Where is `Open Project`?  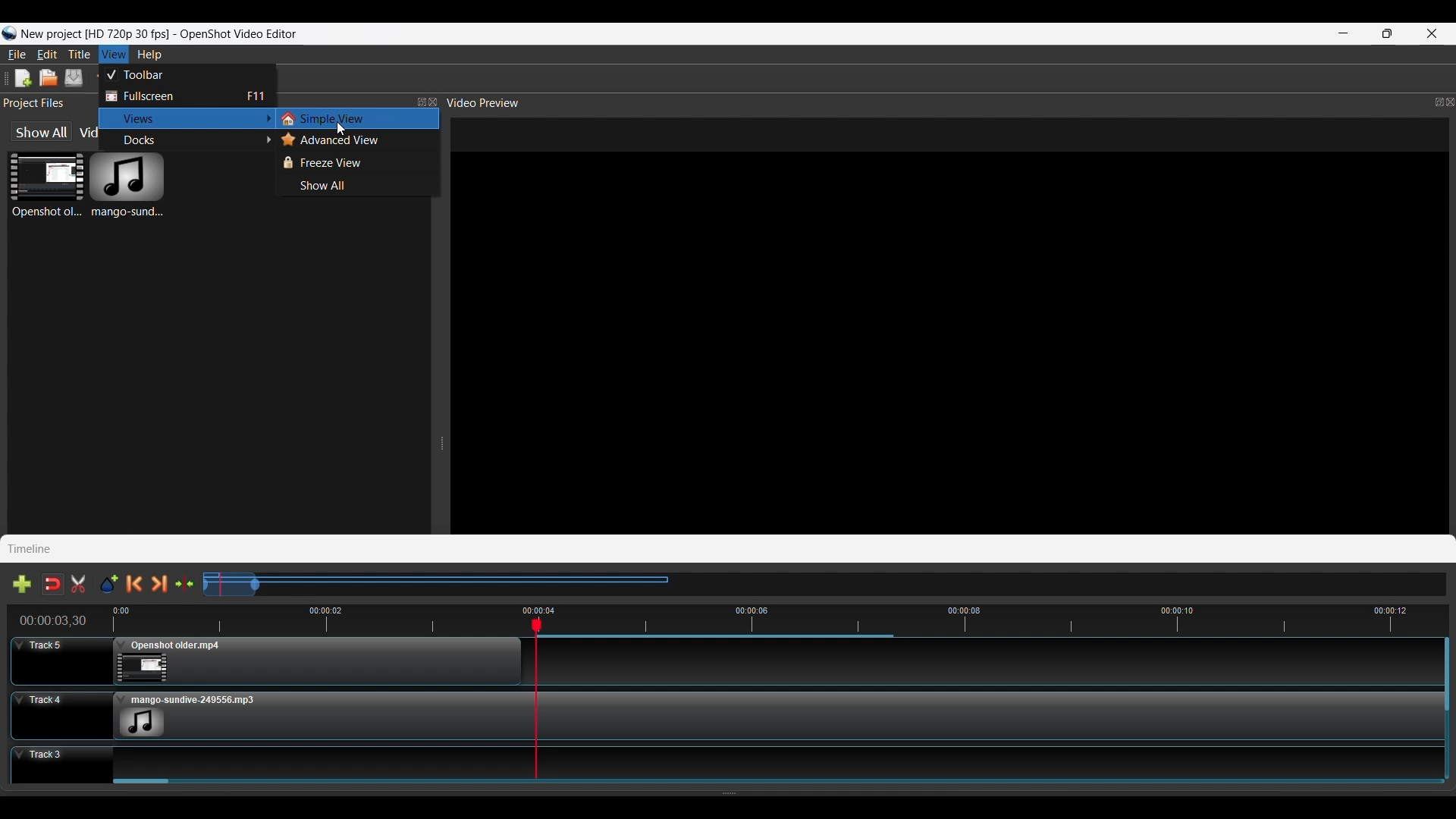 Open Project is located at coordinates (49, 78).